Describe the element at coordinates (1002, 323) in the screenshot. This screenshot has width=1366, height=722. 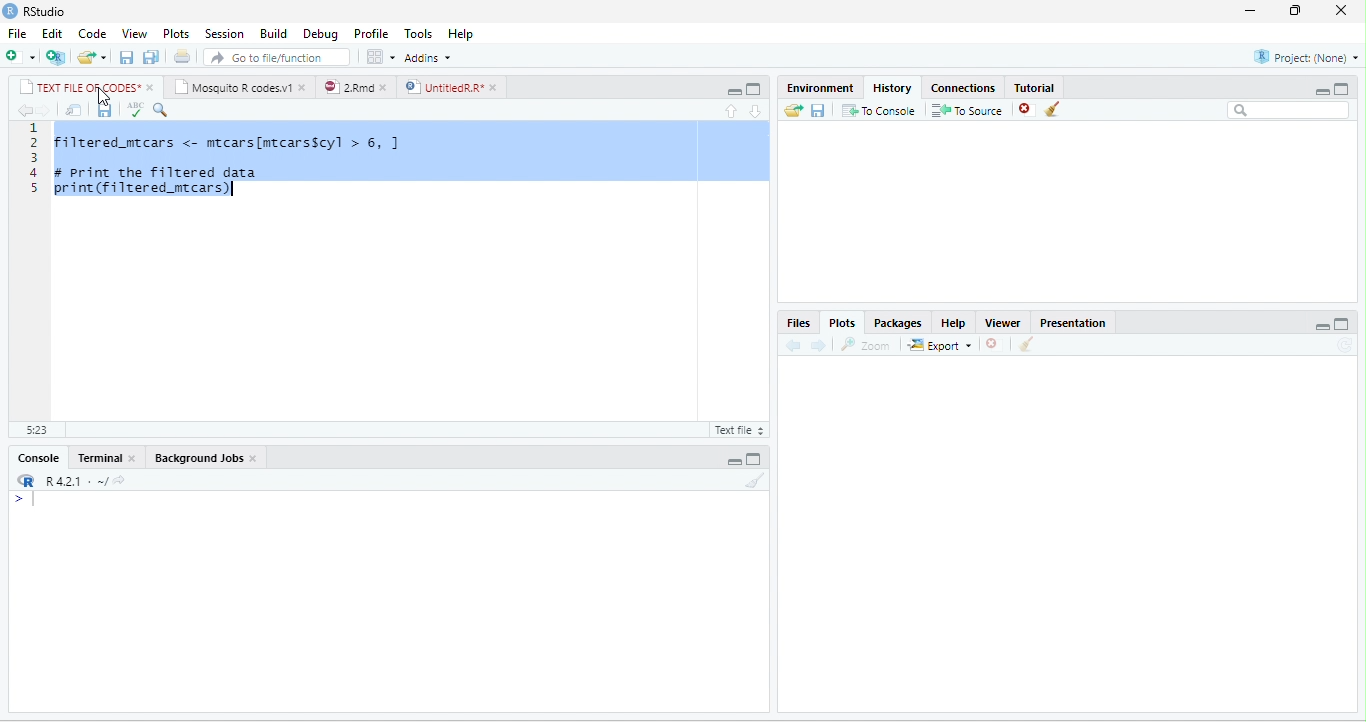
I see `Viewer` at that location.